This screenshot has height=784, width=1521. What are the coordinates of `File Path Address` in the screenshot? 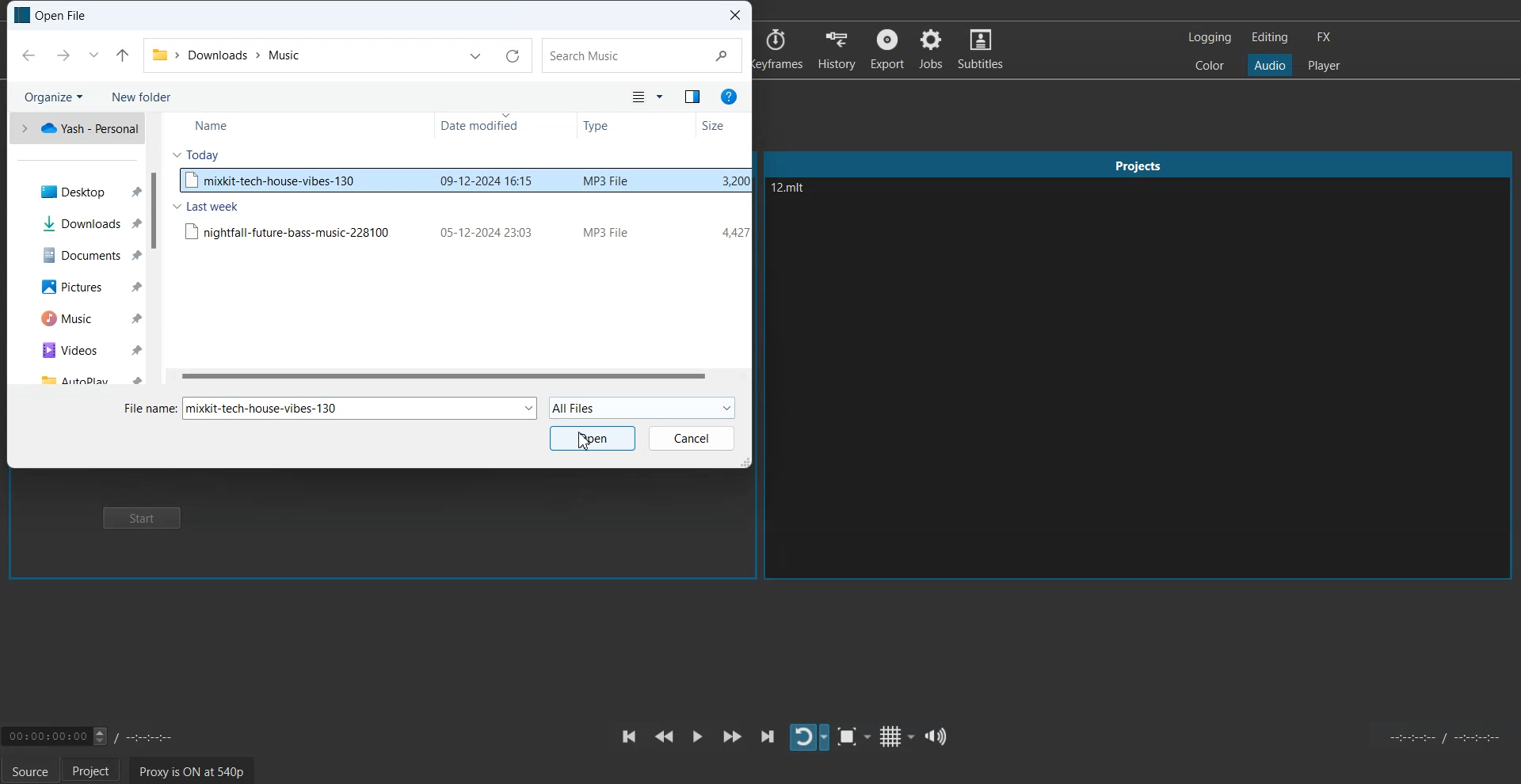 It's located at (226, 53).